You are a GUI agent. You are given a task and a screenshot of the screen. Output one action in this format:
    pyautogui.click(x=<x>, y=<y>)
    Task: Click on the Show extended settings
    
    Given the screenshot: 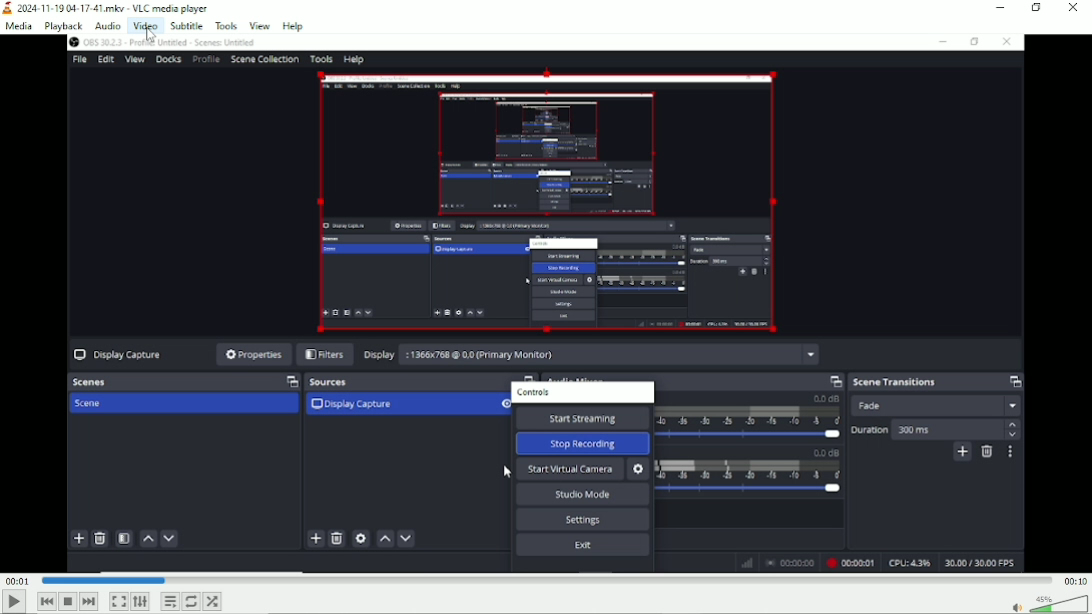 What is the action you would take?
    pyautogui.click(x=140, y=602)
    